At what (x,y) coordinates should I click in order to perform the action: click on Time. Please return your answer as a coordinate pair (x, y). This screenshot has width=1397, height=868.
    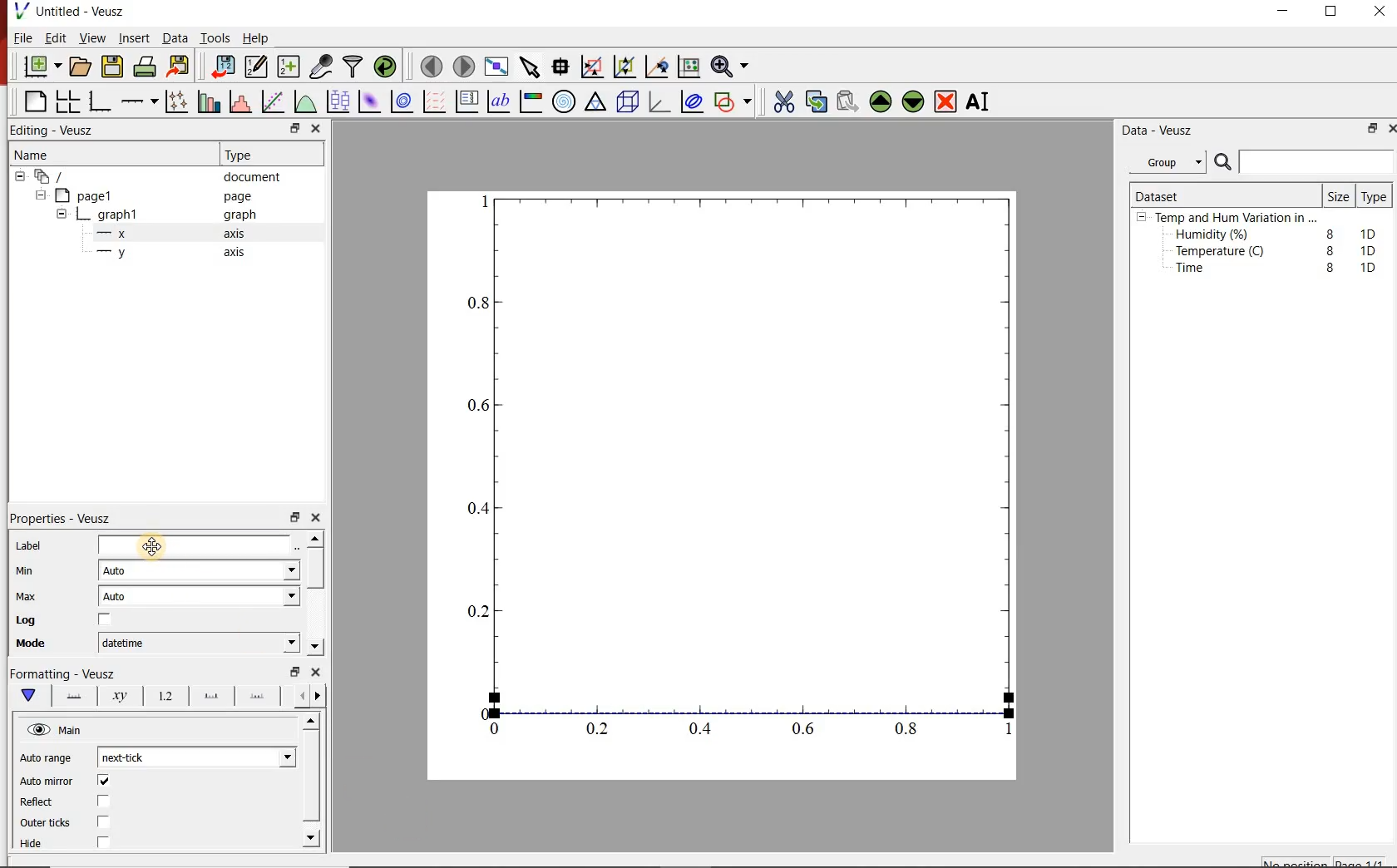
    Looking at the image, I should click on (1199, 272).